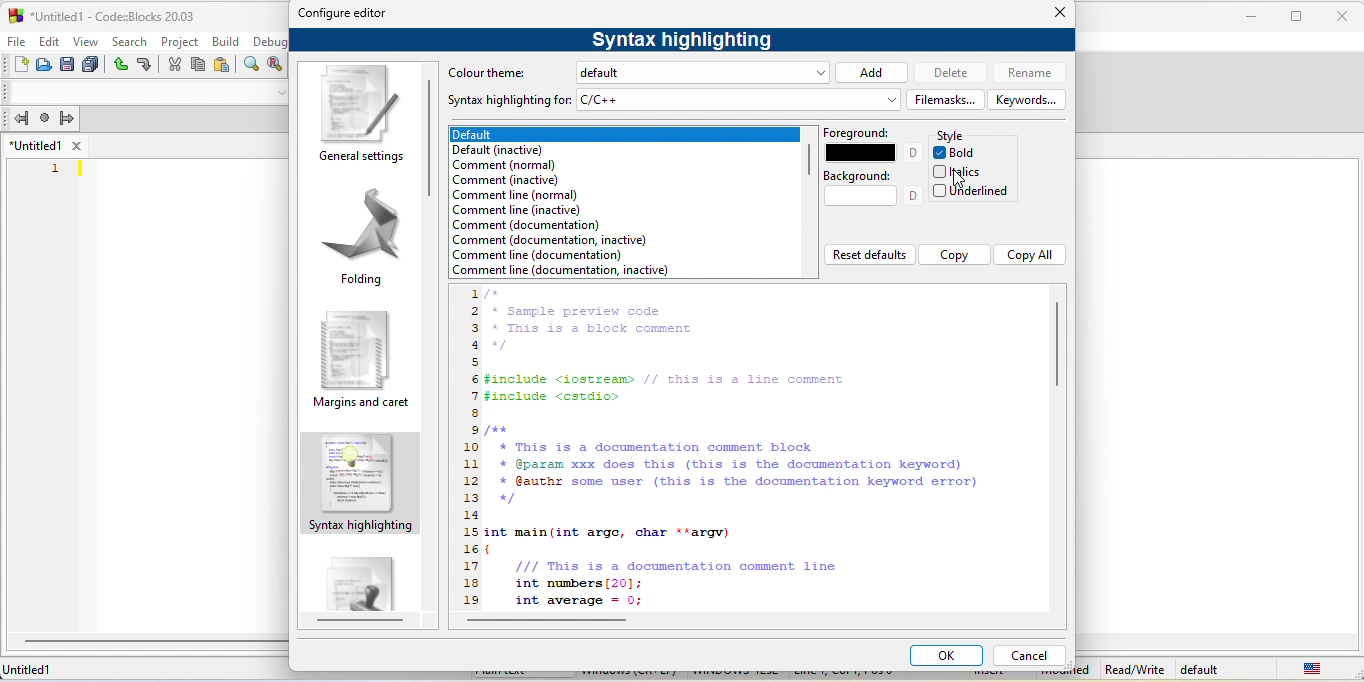 The height and width of the screenshot is (682, 1364). Describe the element at coordinates (549, 240) in the screenshot. I see `comment documentation inactive` at that location.